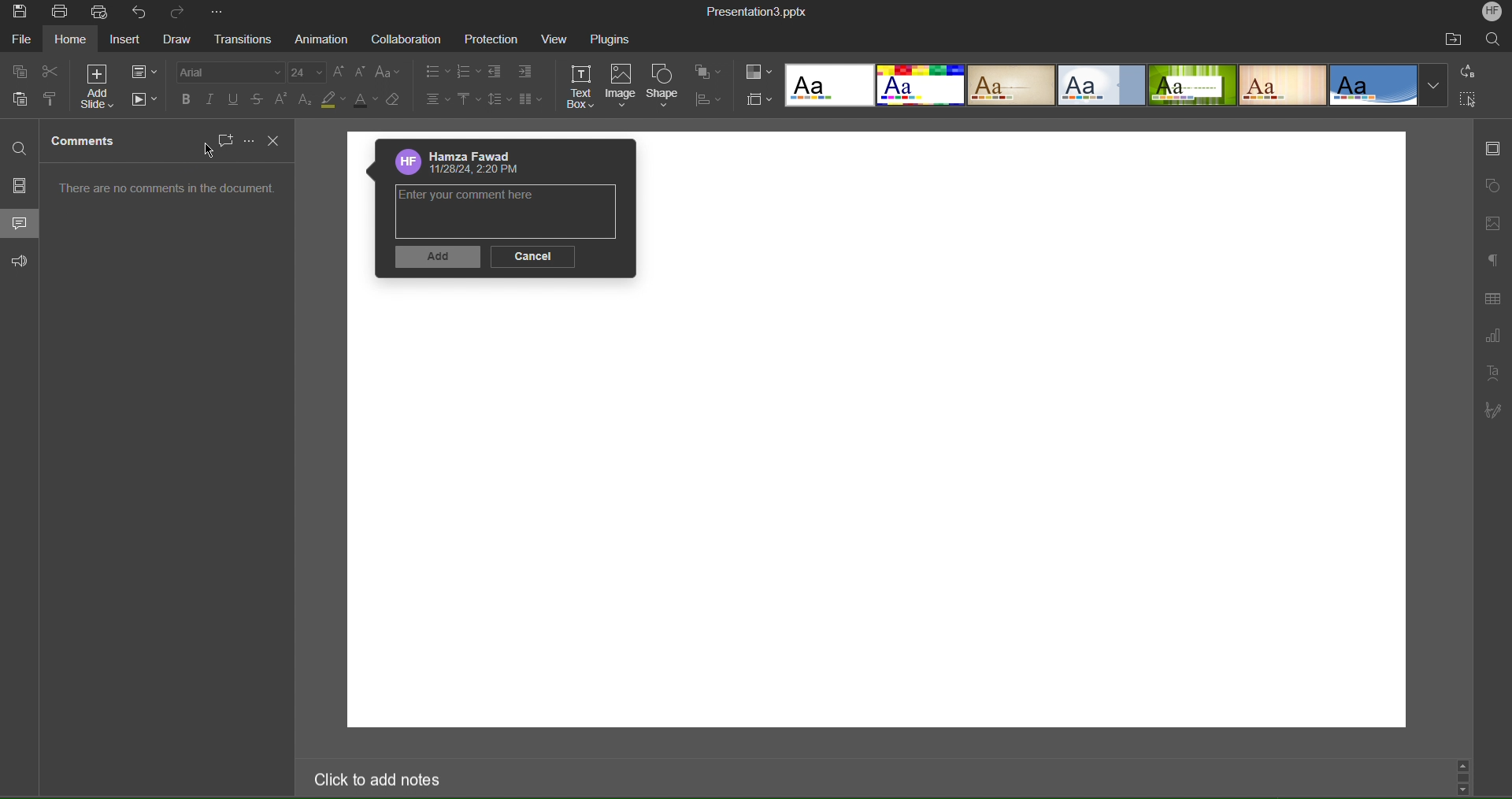  Describe the element at coordinates (476, 171) in the screenshot. I see `date and time` at that location.